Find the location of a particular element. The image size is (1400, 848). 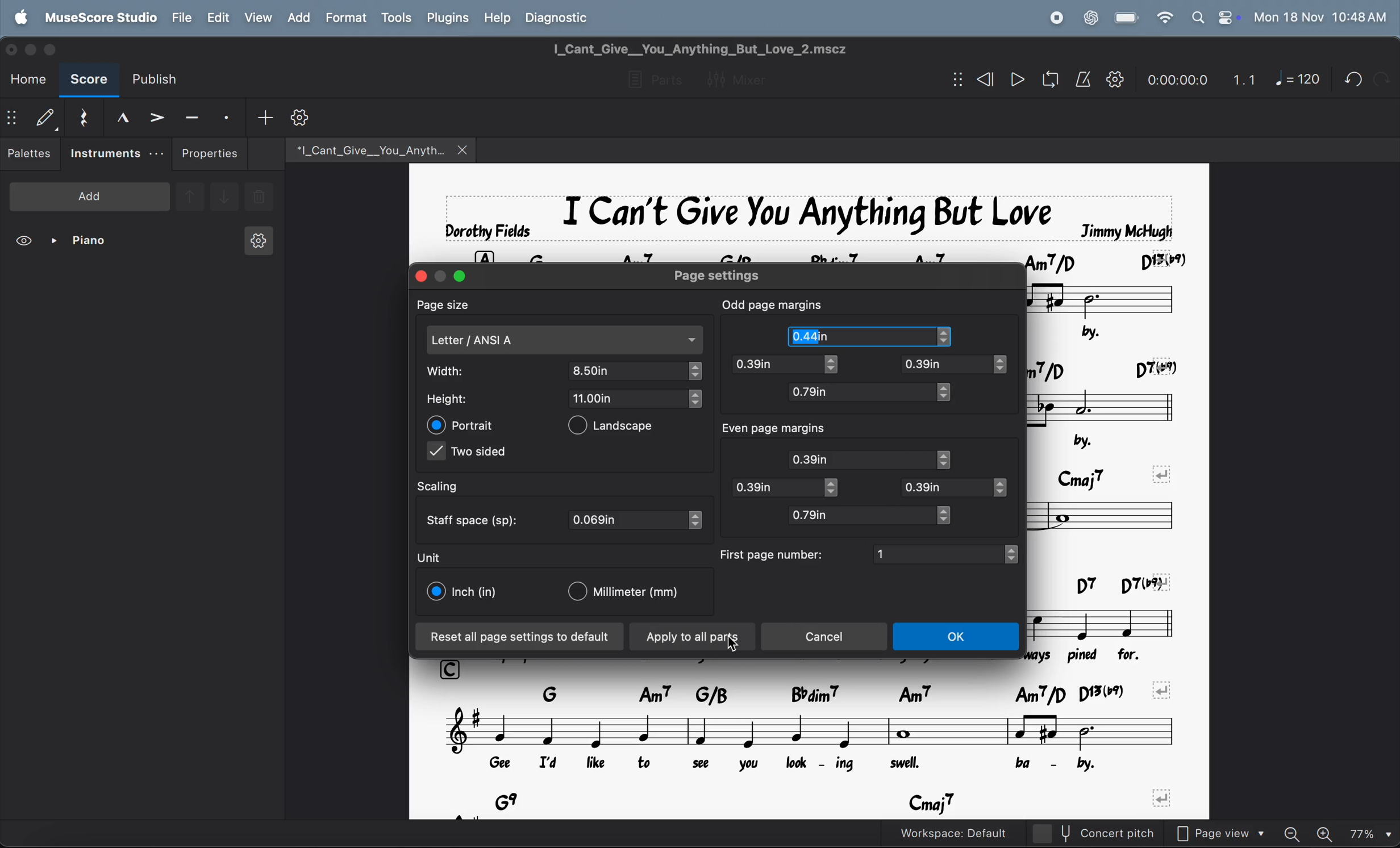

staff space (sp) is located at coordinates (476, 519).